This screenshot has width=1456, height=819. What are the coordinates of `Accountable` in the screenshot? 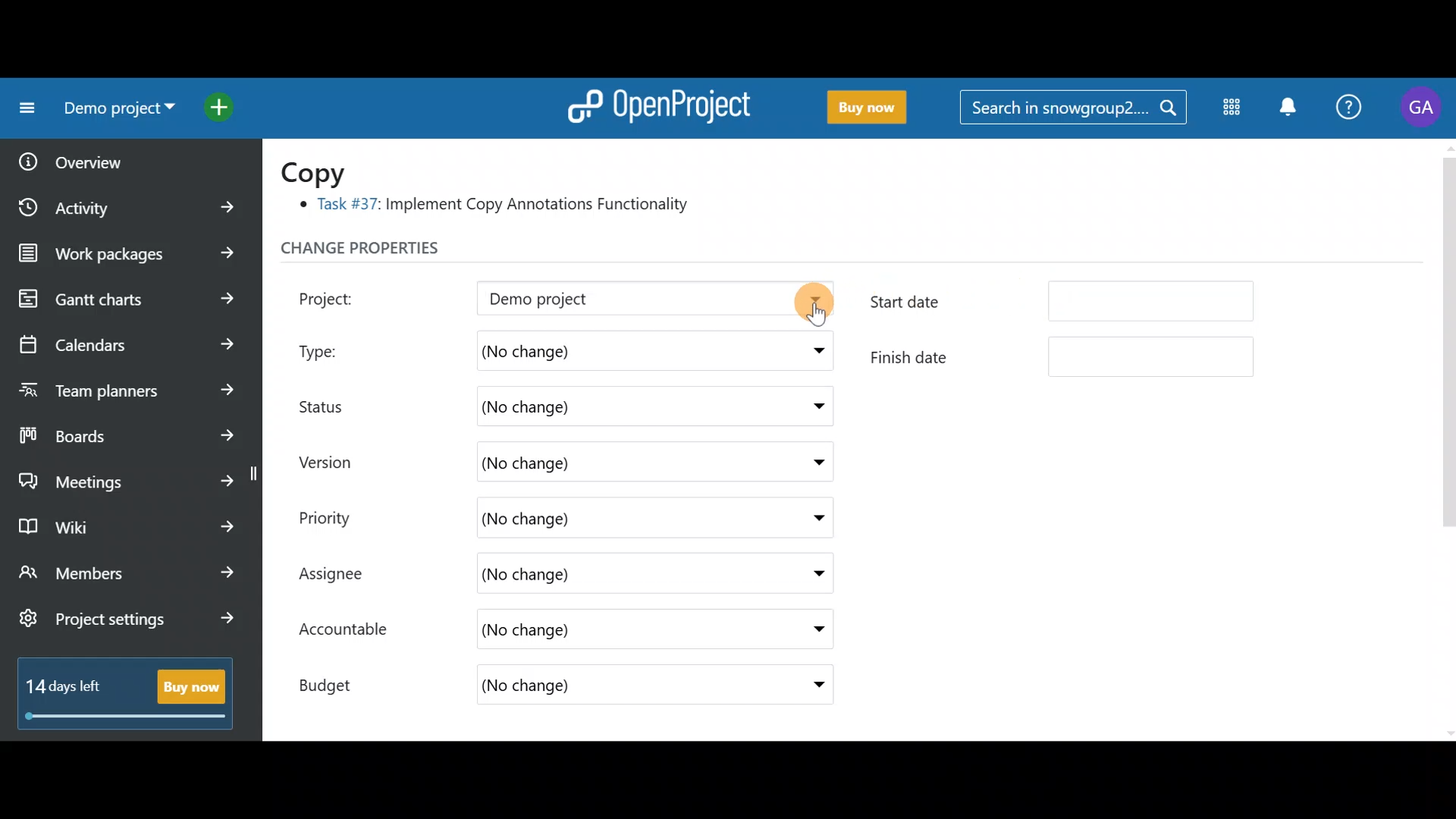 It's located at (351, 631).